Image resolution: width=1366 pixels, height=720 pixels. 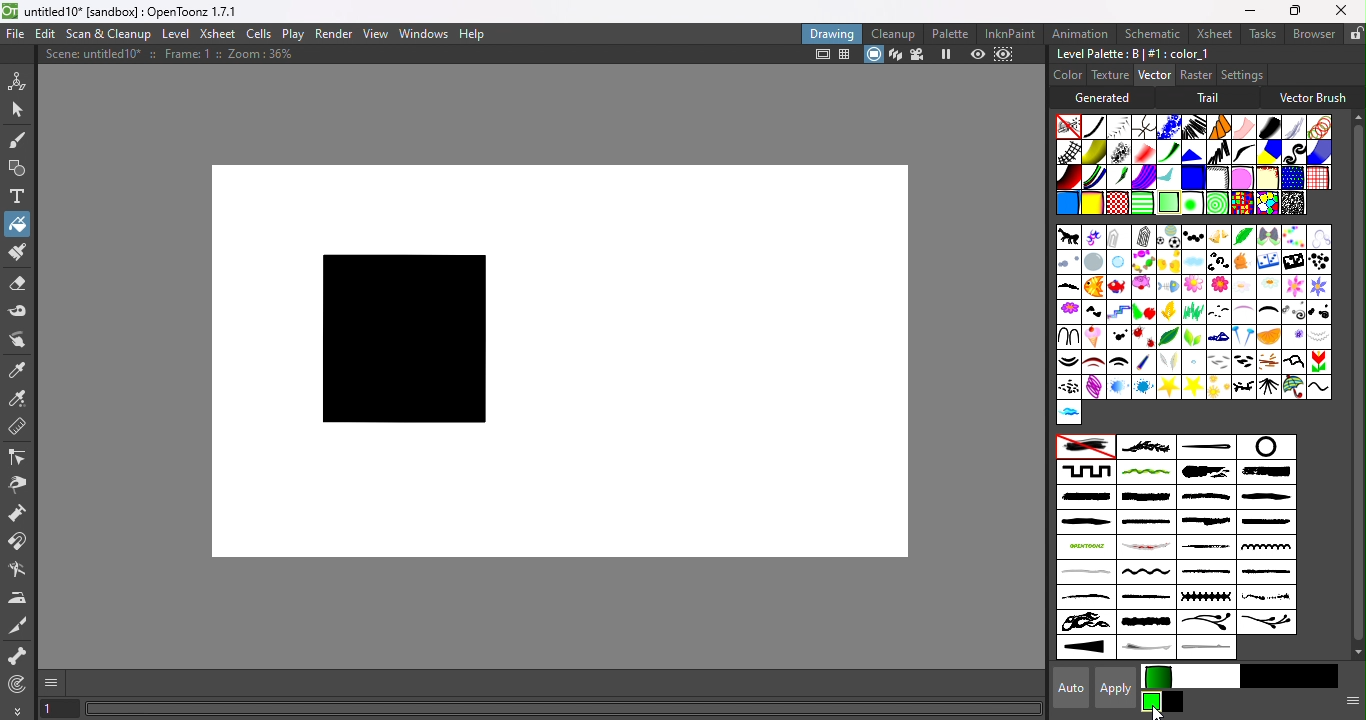 What do you see at coordinates (1081, 32) in the screenshot?
I see `Animation` at bounding box center [1081, 32].